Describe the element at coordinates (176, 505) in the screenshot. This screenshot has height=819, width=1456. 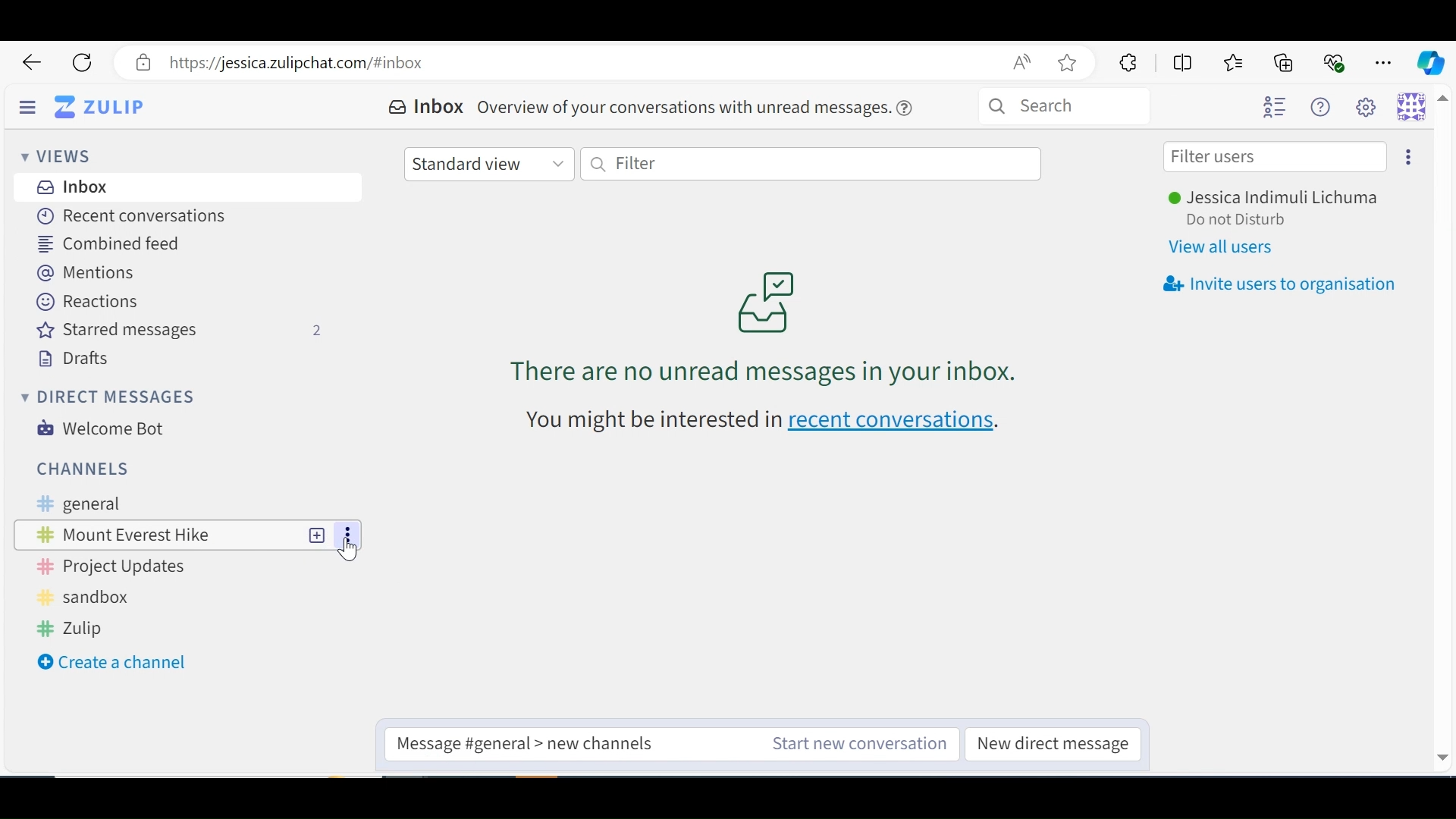
I see `General Channel` at that location.